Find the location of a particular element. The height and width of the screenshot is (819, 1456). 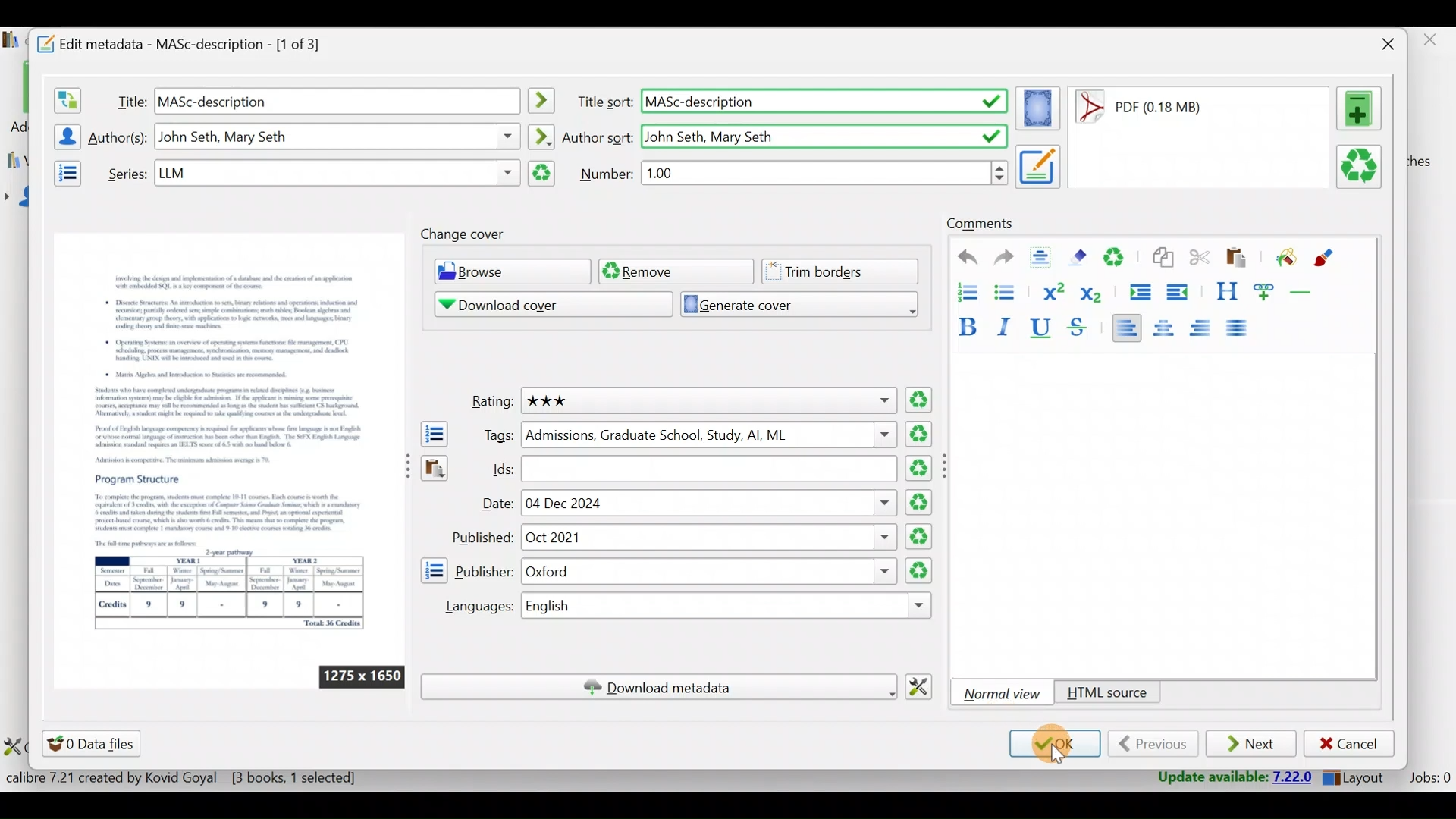

Cancel is located at coordinates (1349, 744).